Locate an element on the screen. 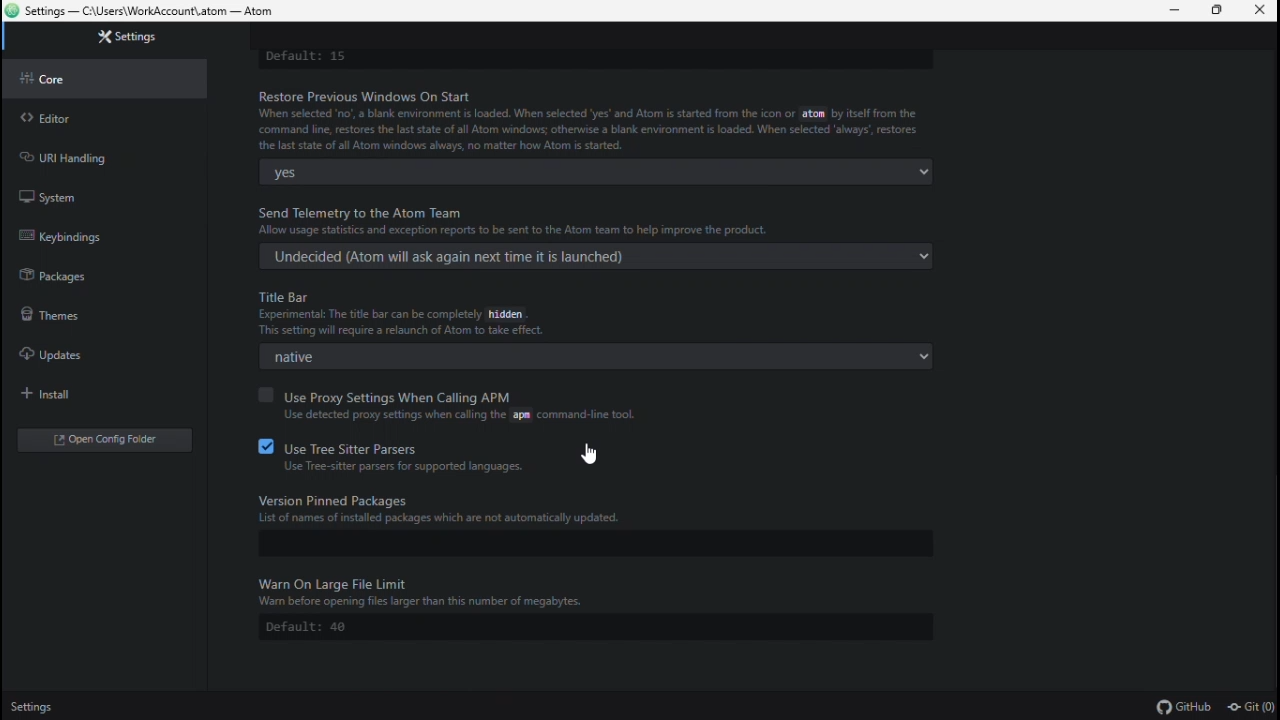 Image resolution: width=1280 pixels, height=720 pixels. Use tree sitter is located at coordinates (443, 455).